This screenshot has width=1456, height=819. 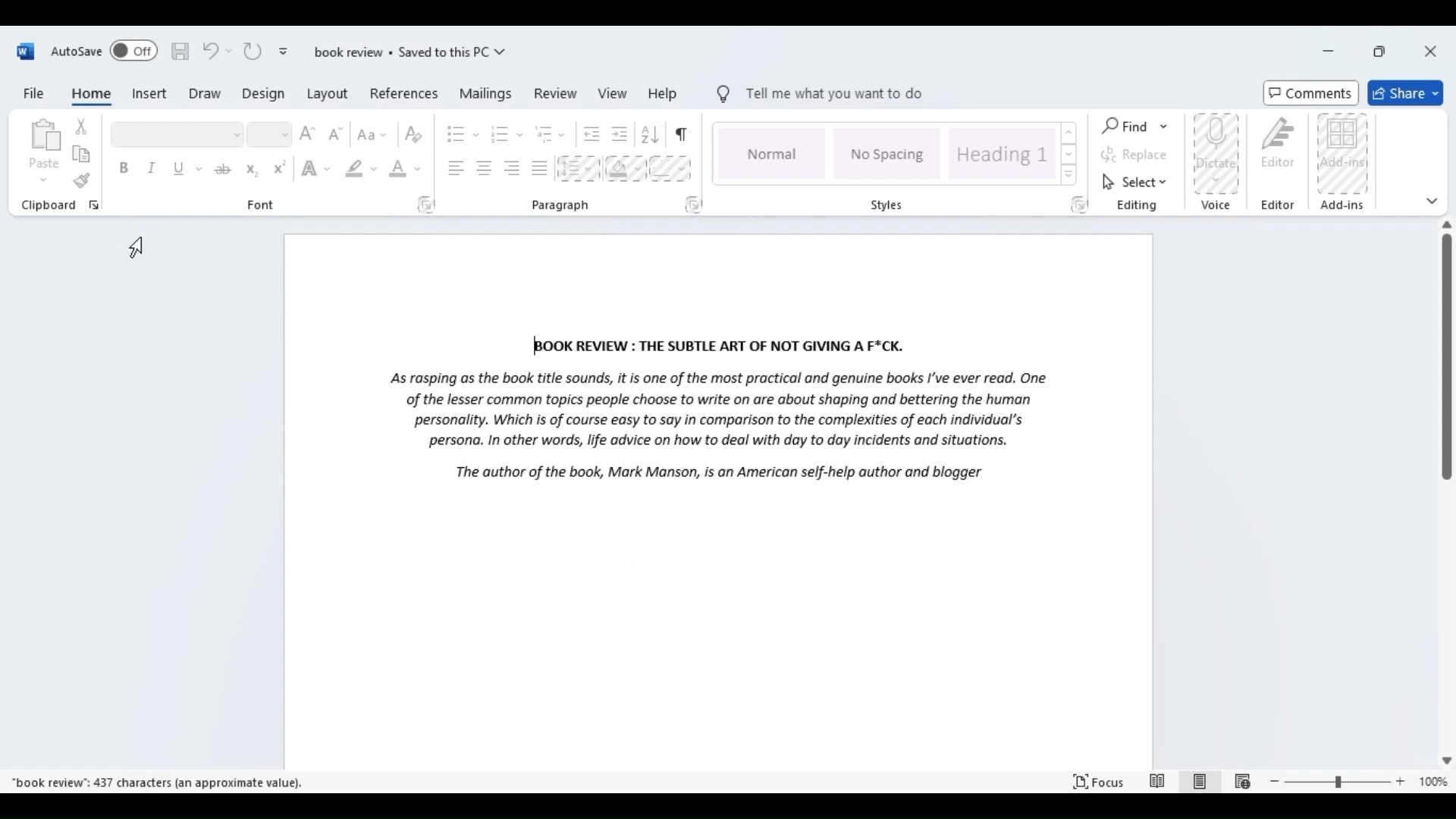 What do you see at coordinates (821, 93) in the screenshot?
I see `Q Tell me what you want to do` at bounding box center [821, 93].